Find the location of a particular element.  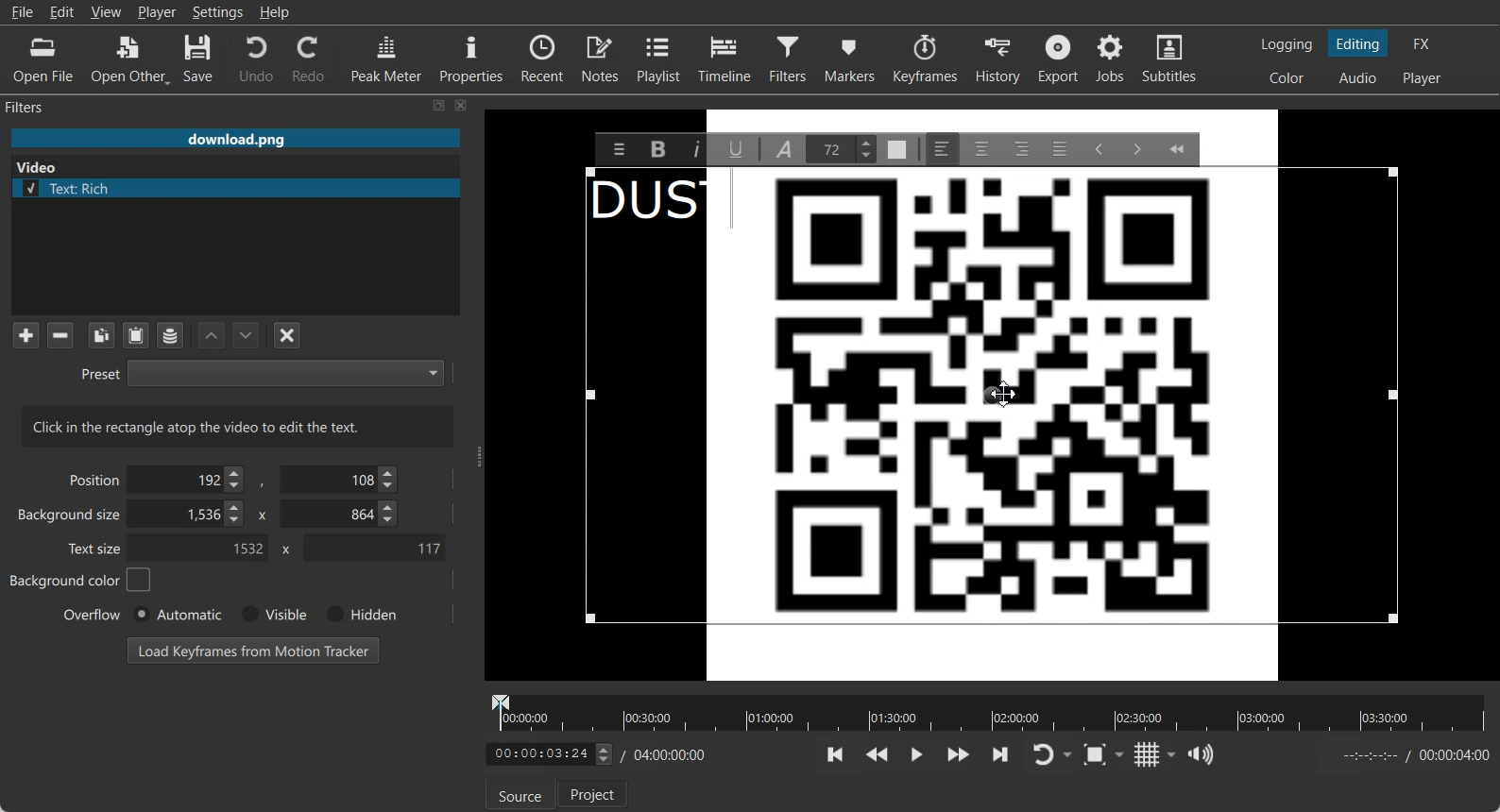

Decrease Indent is located at coordinates (1099, 149).